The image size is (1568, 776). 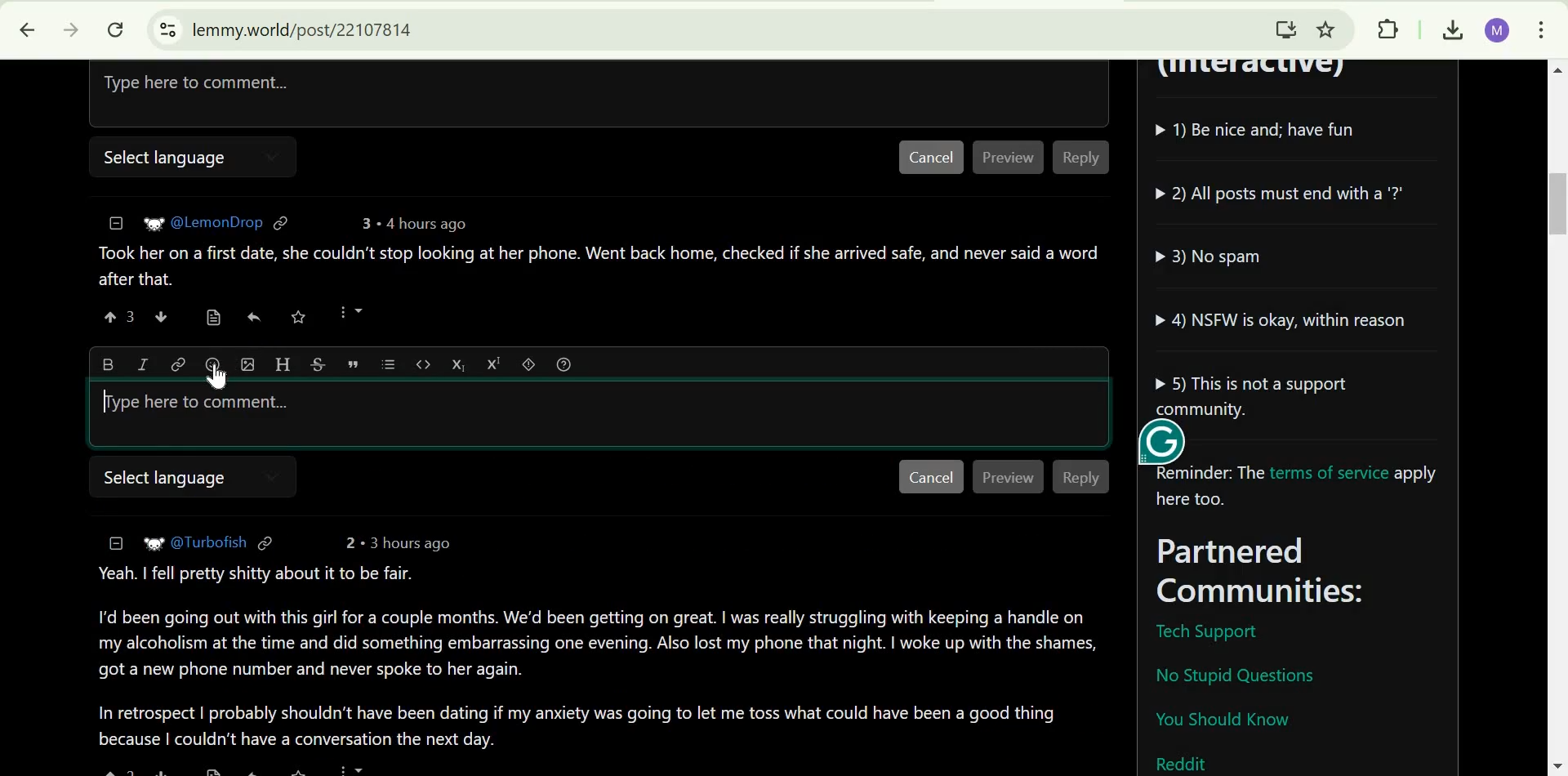 What do you see at coordinates (216, 221) in the screenshot?
I see `user ID` at bounding box center [216, 221].